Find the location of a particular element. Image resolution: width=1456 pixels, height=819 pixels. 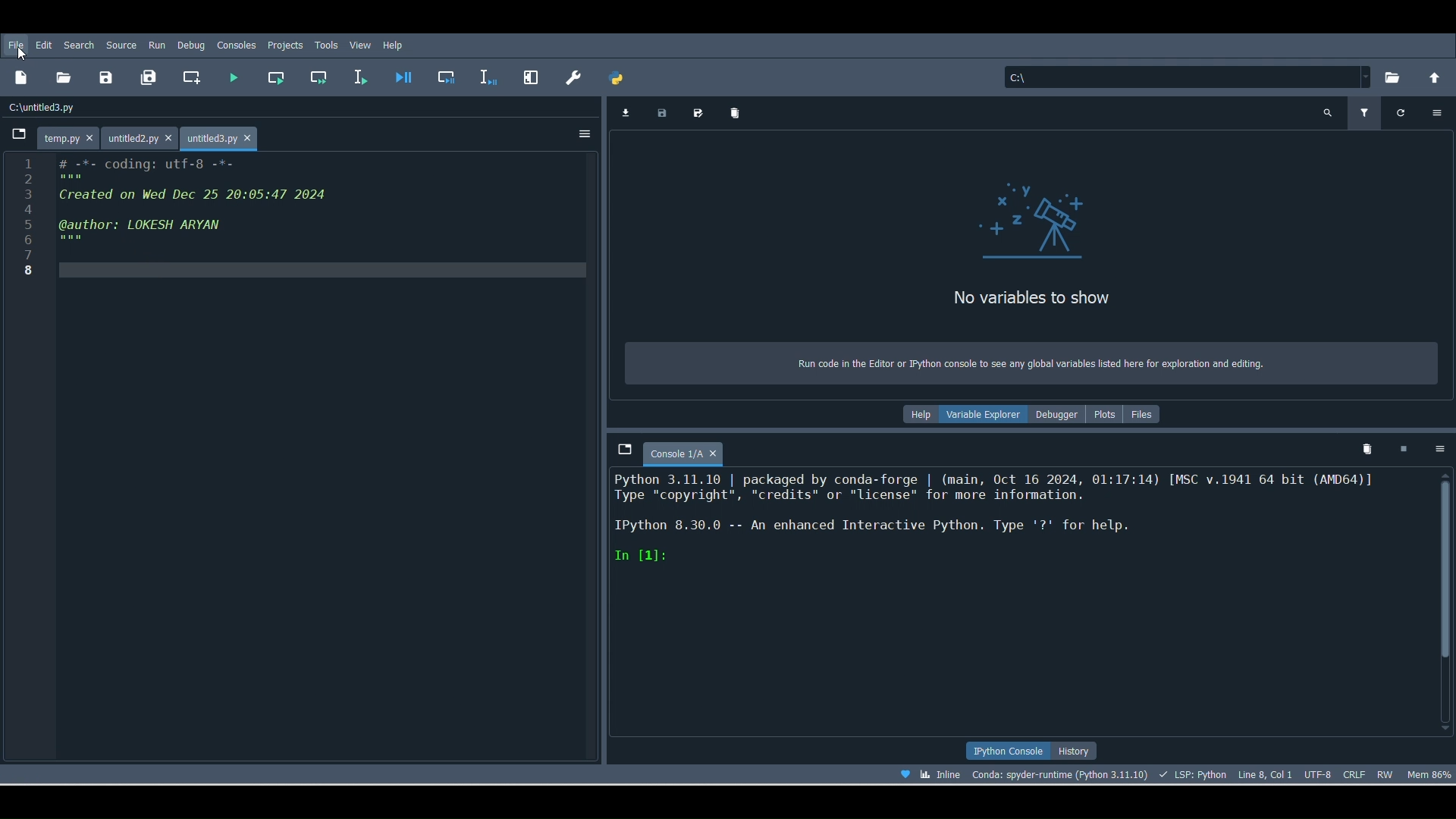

Change to parent directory is located at coordinates (1435, 77).